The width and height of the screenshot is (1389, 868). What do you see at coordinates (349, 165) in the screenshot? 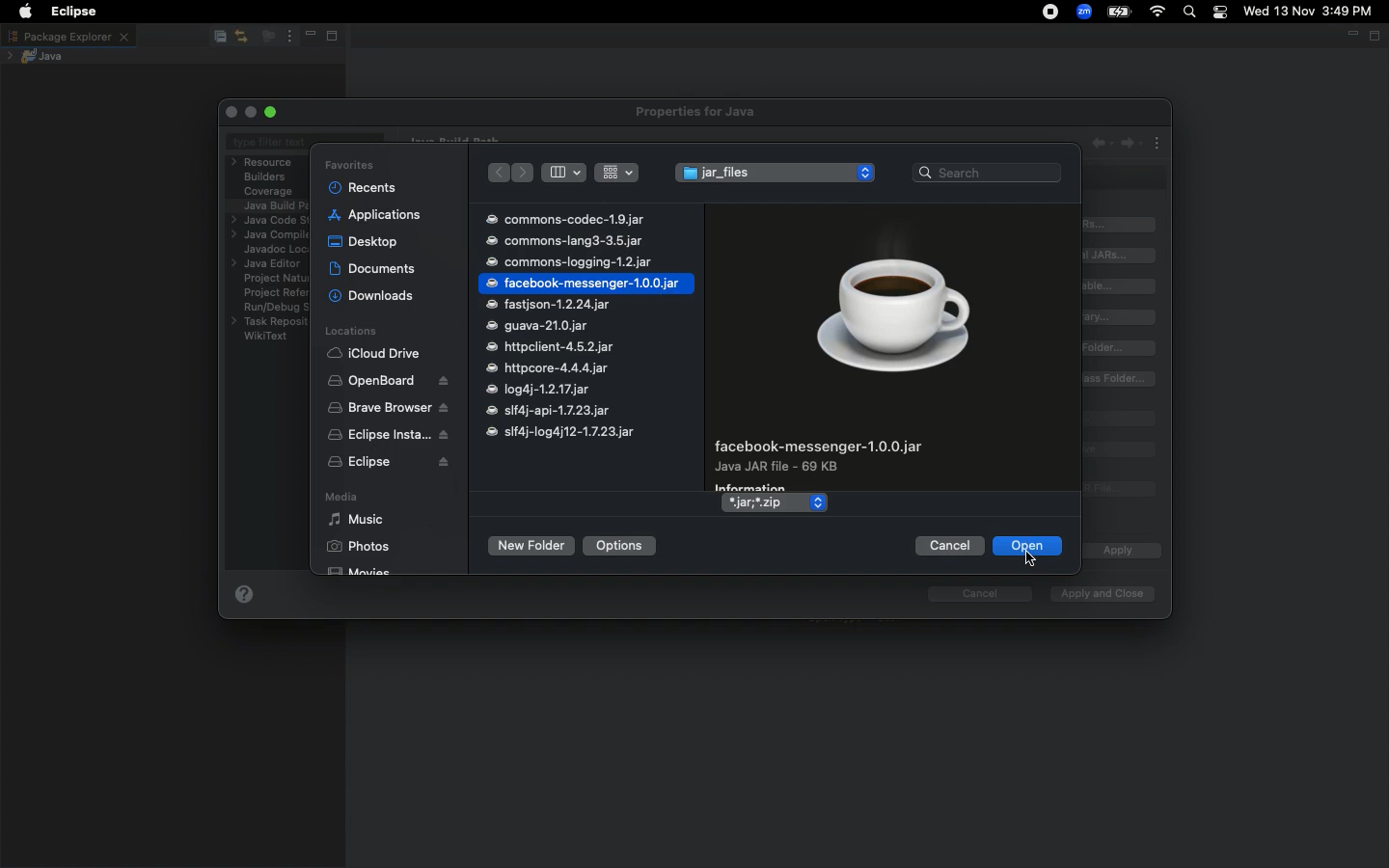
I see `Favorites` at bounding box center [349, 165].